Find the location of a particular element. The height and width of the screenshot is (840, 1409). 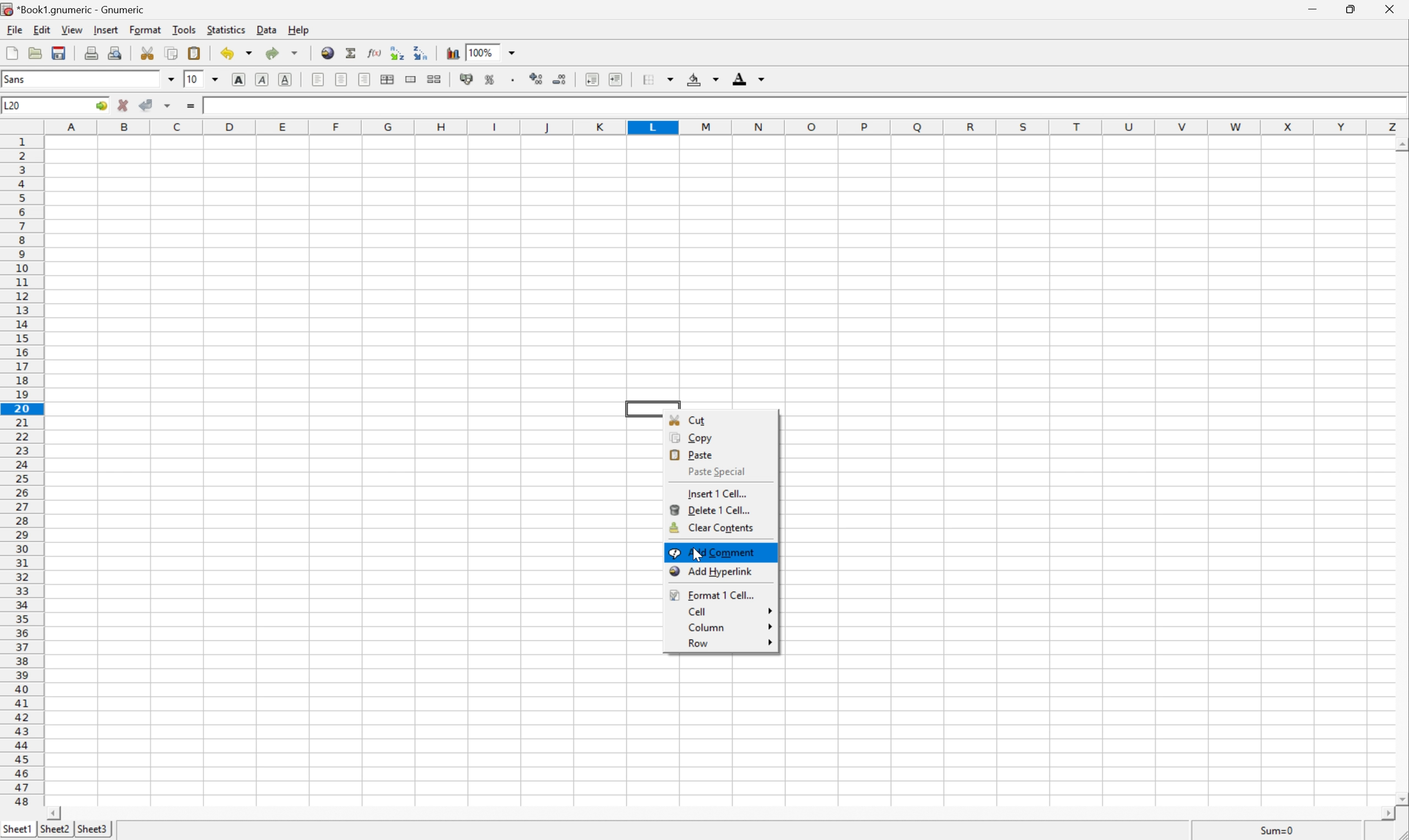

Decrease number of decimals displayed is located at coordinates (560, 79).